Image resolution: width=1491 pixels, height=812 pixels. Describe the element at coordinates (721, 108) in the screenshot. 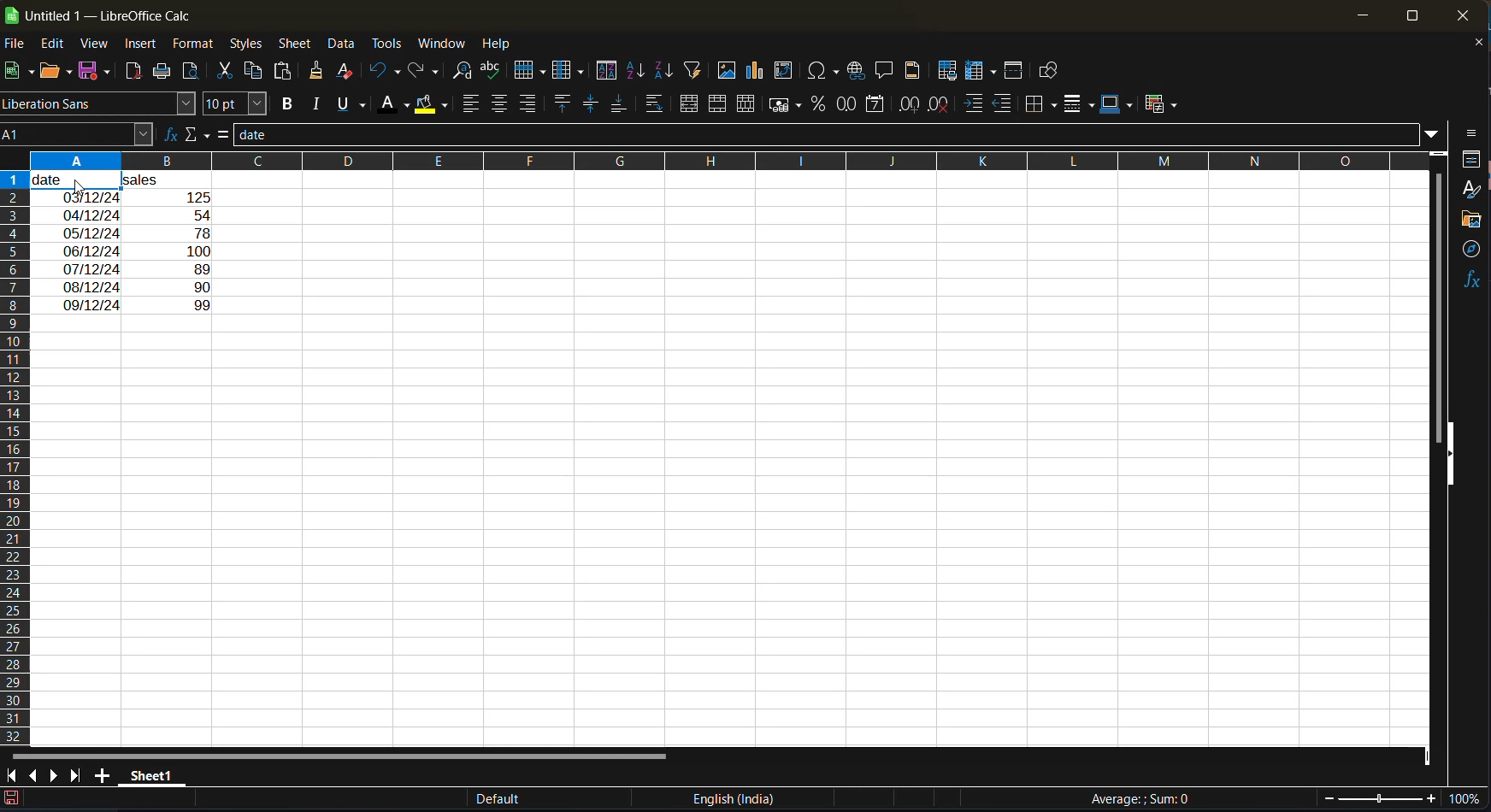

I see `merge cells` at that location.